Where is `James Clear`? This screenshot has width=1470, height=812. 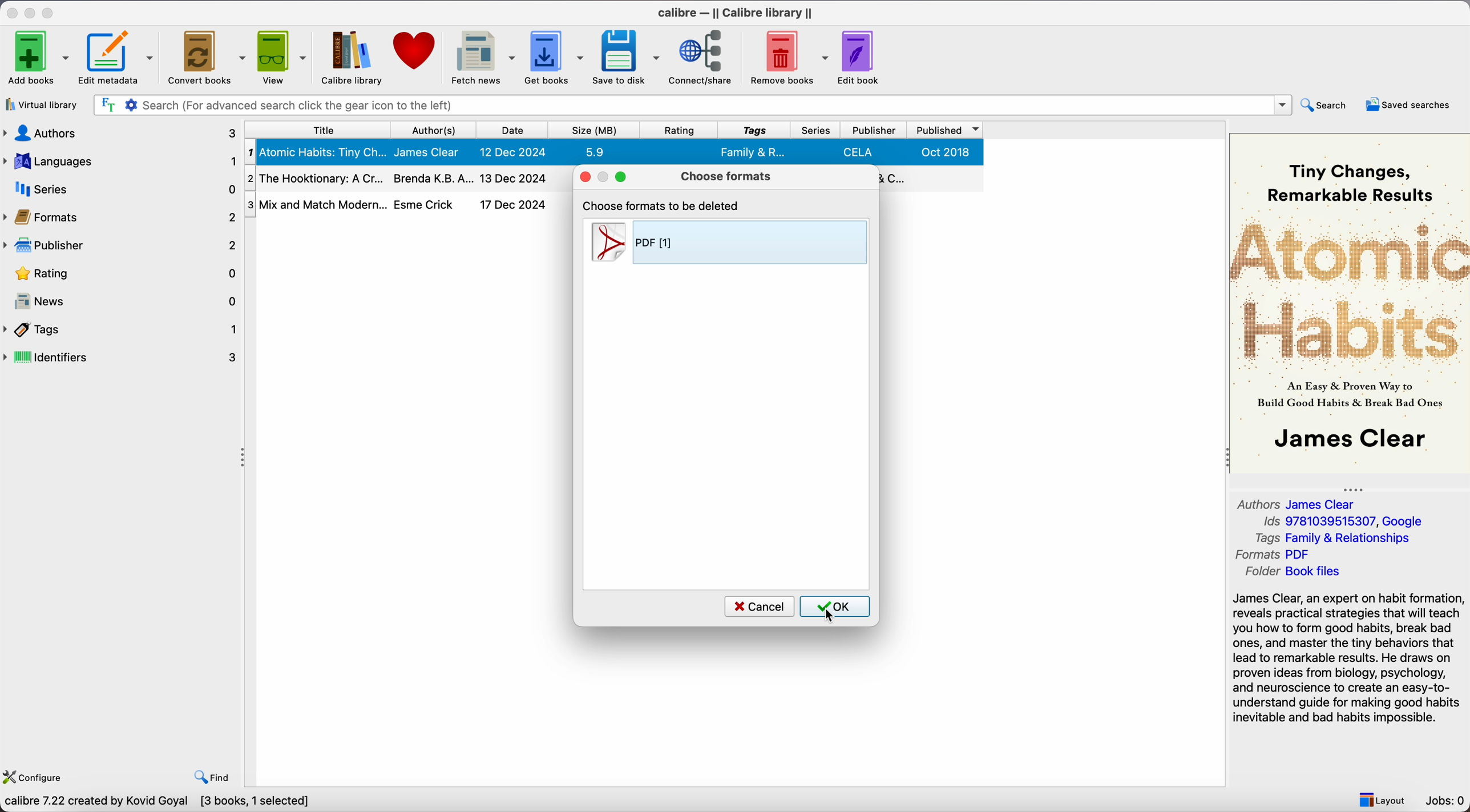 James Clear is located at coordinates (428, 152).